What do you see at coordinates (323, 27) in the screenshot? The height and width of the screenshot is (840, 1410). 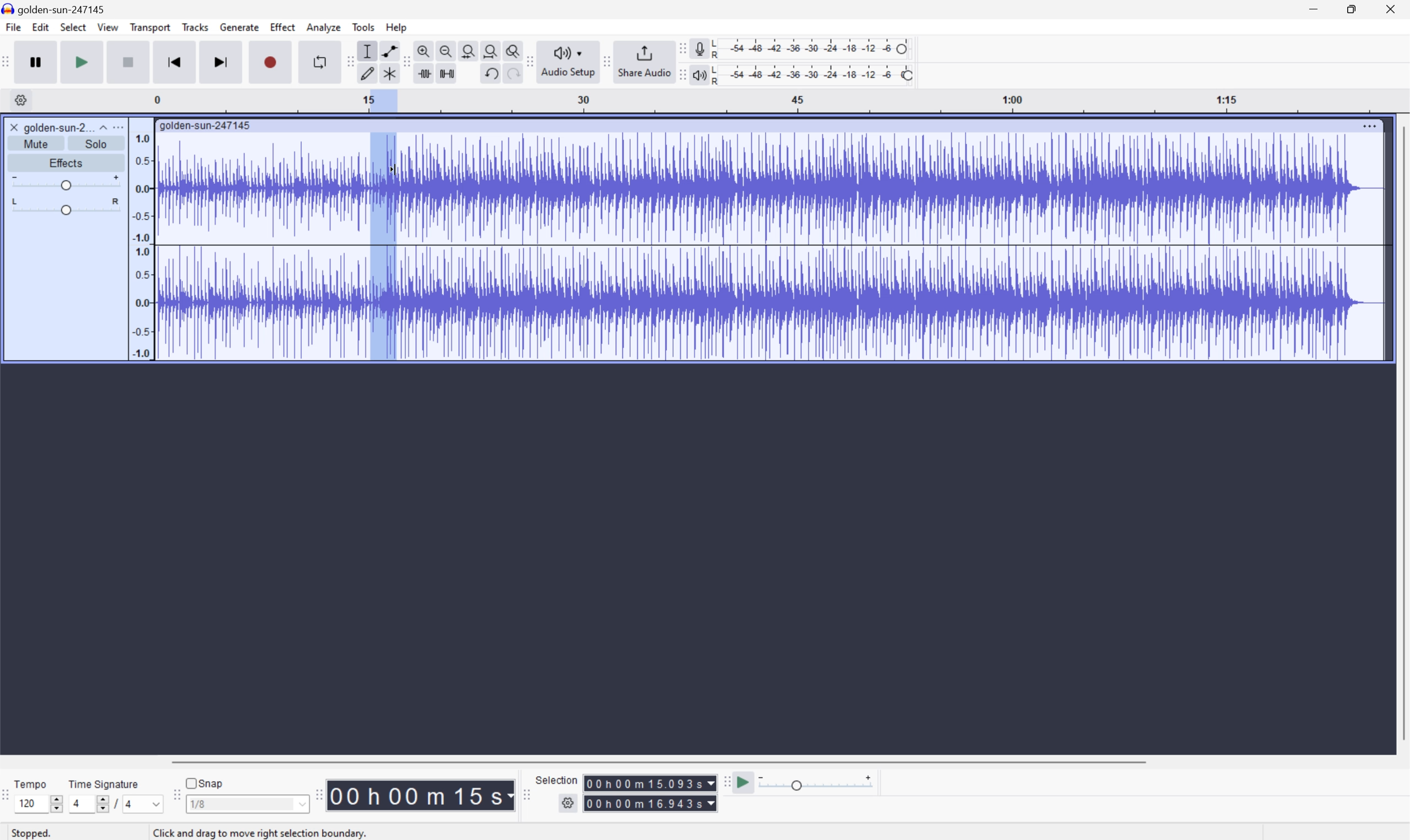 I see `Analyze` at bounding box center [323, 27].